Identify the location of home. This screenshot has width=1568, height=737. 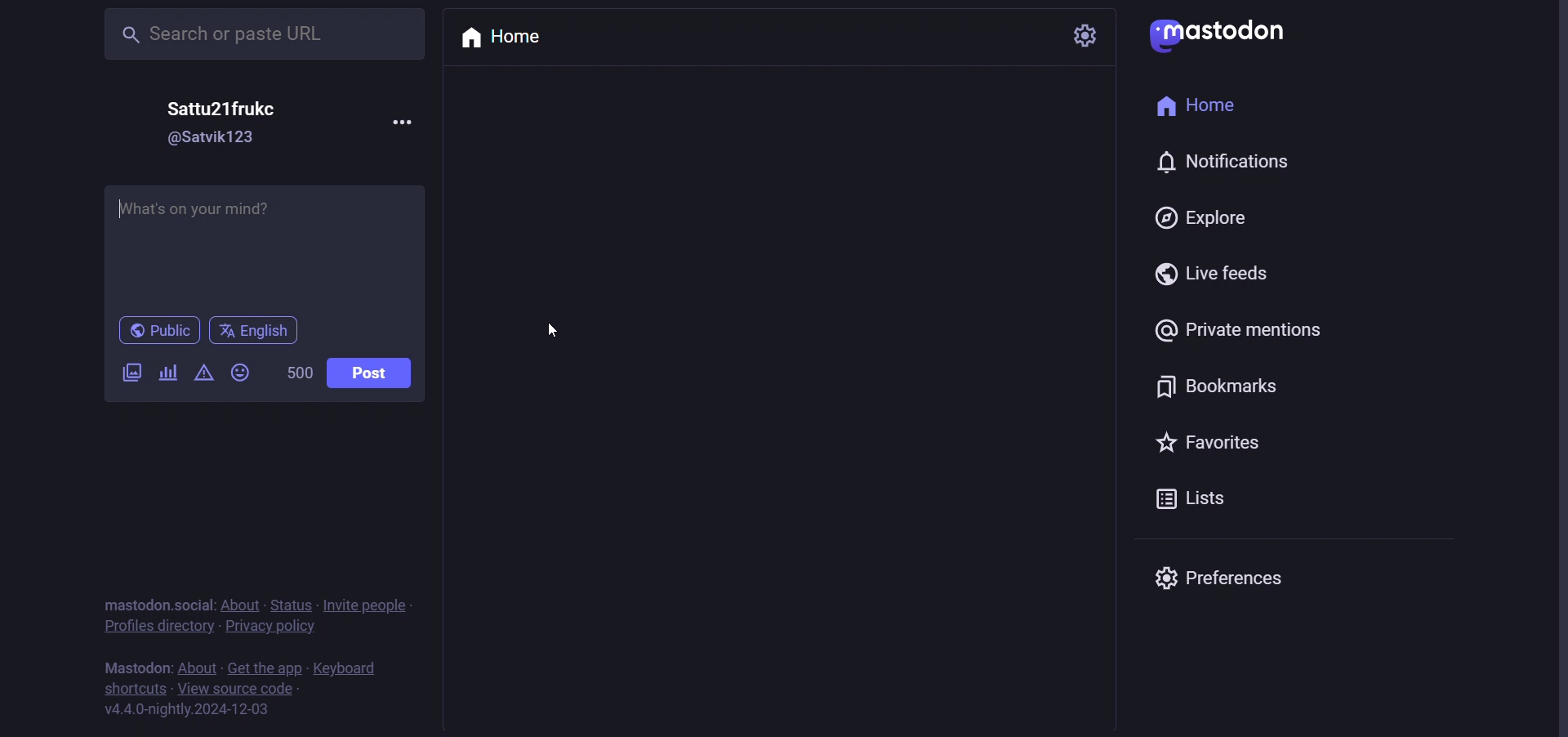
(1194, 106).